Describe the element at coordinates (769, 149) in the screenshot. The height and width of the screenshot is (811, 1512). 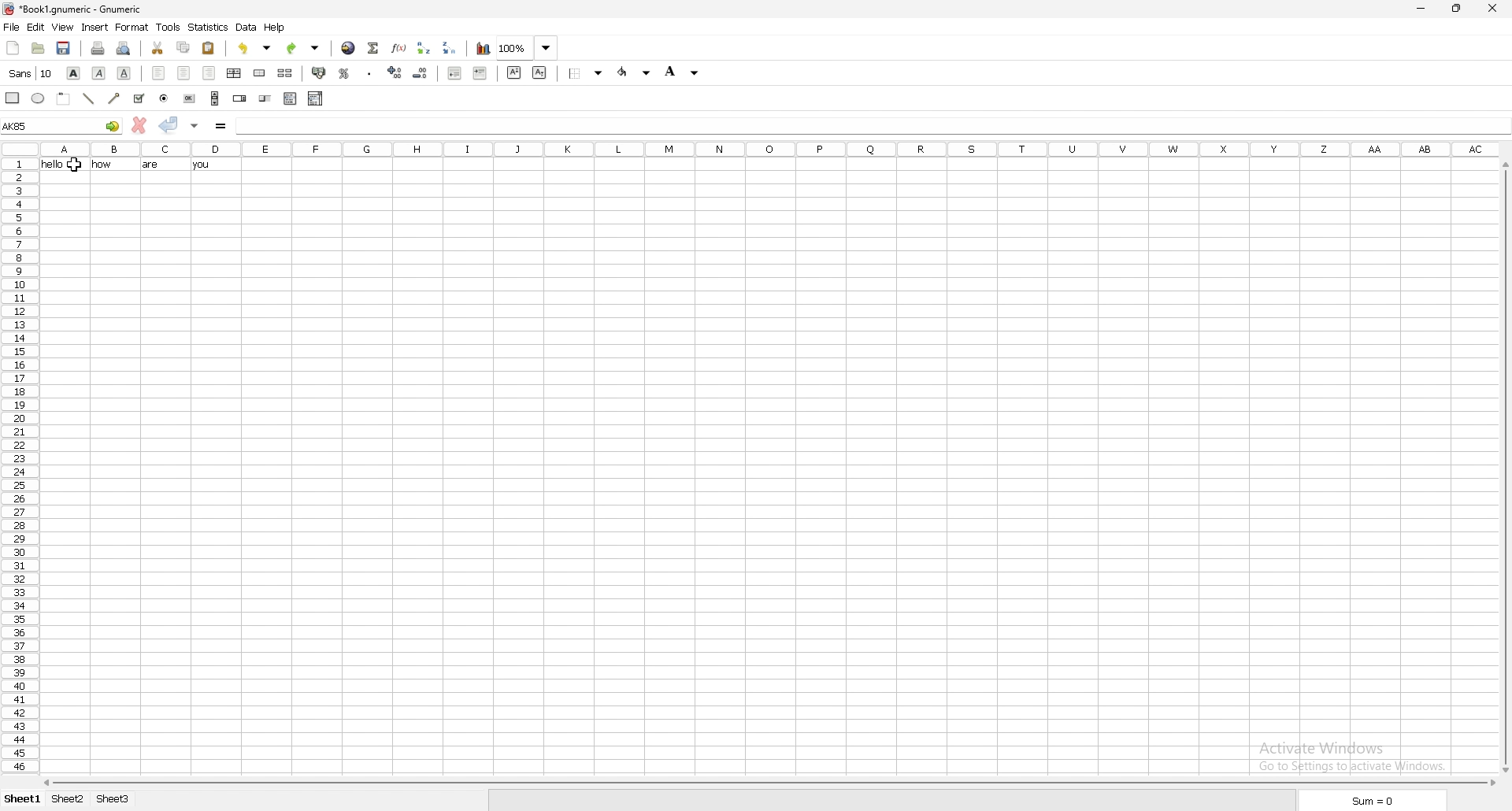
I see `columns` at that location.